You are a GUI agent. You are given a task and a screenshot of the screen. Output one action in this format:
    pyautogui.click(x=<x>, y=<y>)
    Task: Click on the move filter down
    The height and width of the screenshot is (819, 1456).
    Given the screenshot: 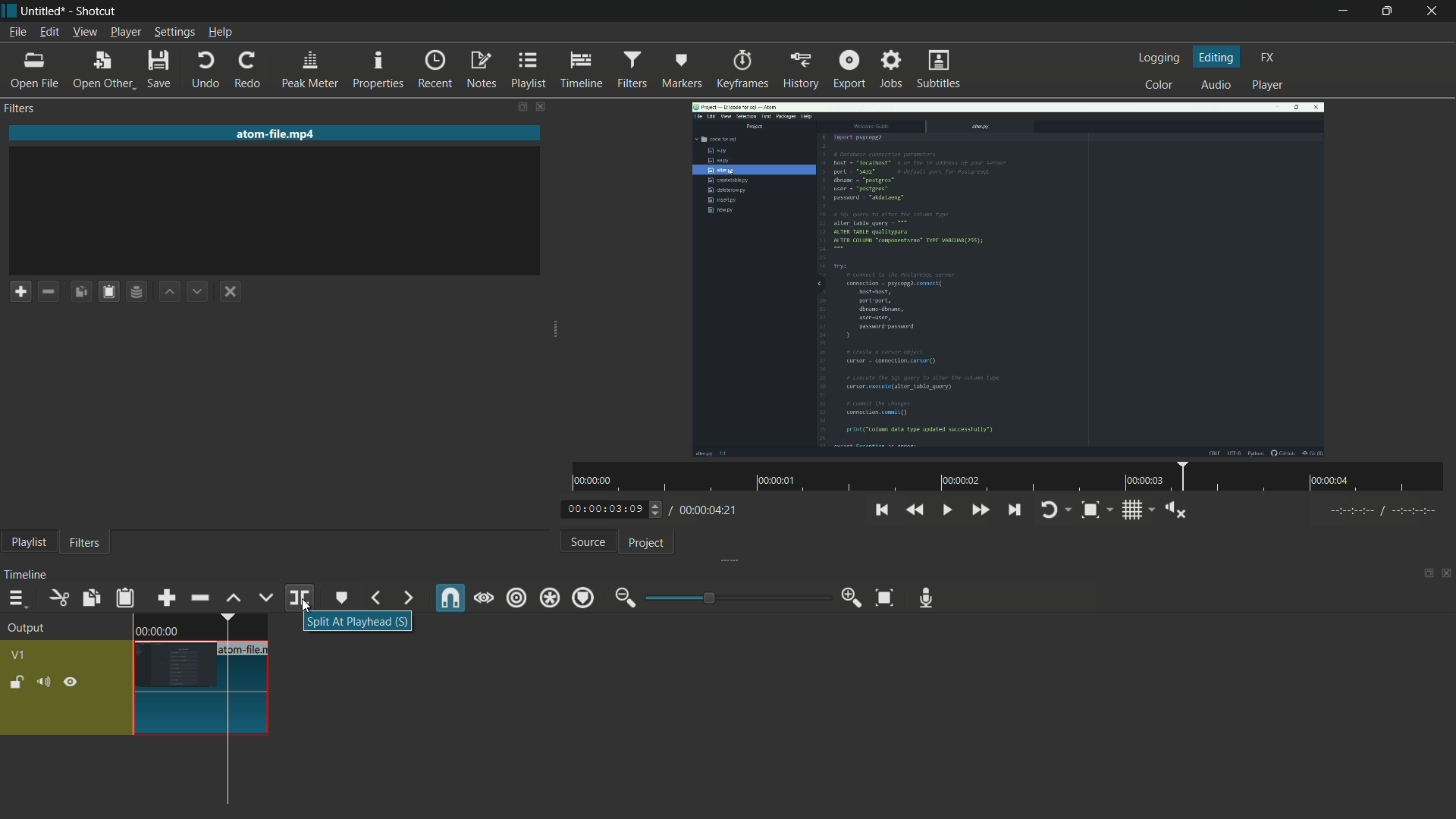 What is the action you would take?
    pyautogui.click(x=199, y=291)
    